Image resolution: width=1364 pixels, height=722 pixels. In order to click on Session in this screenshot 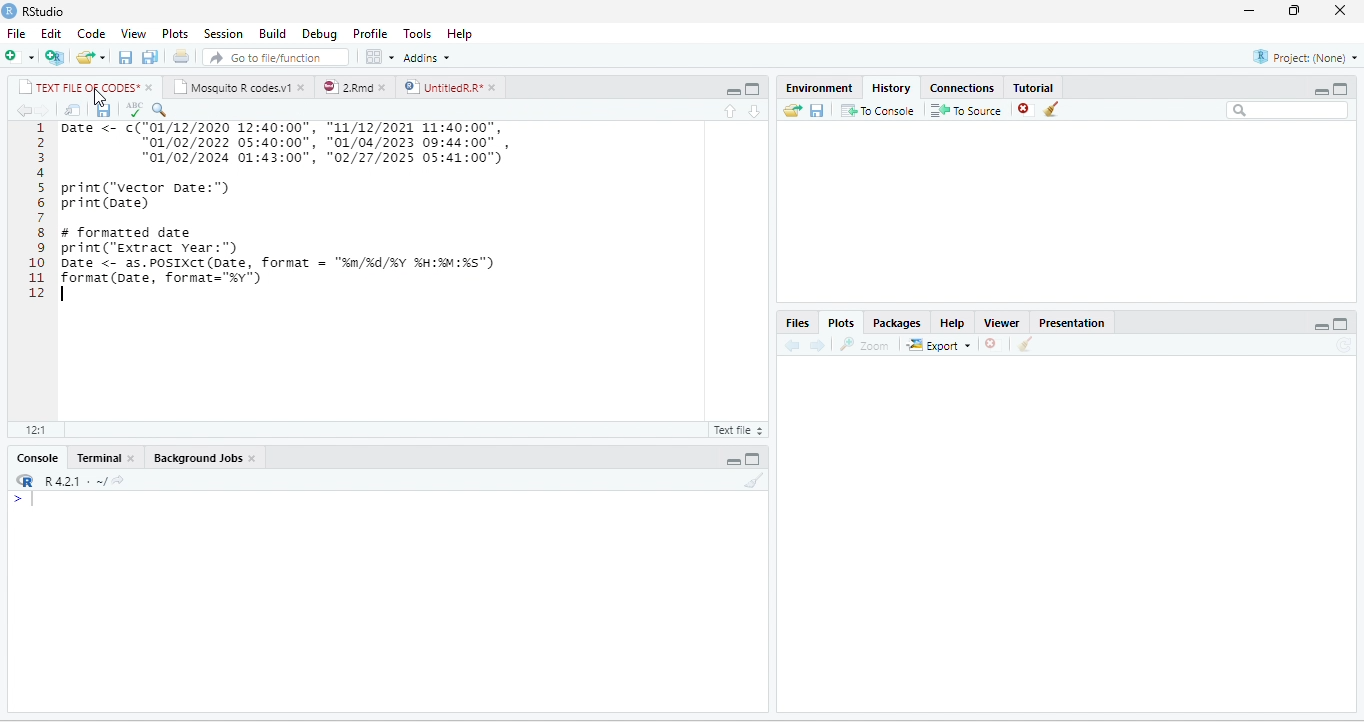, I will do `click(224, 33)`.